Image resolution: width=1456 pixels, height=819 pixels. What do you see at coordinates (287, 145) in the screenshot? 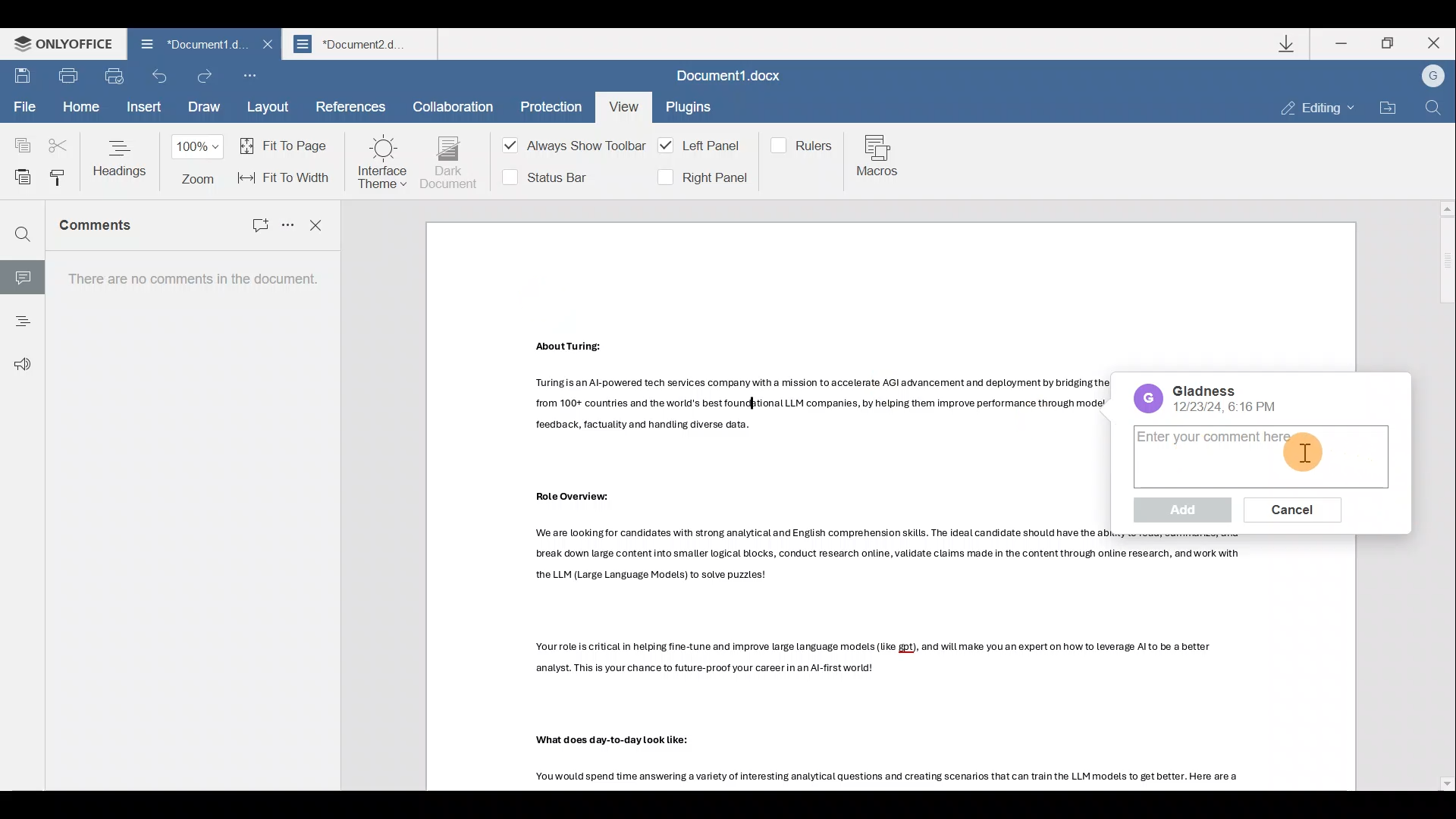
I see `Fit to page` at bounding box center [287, 145].